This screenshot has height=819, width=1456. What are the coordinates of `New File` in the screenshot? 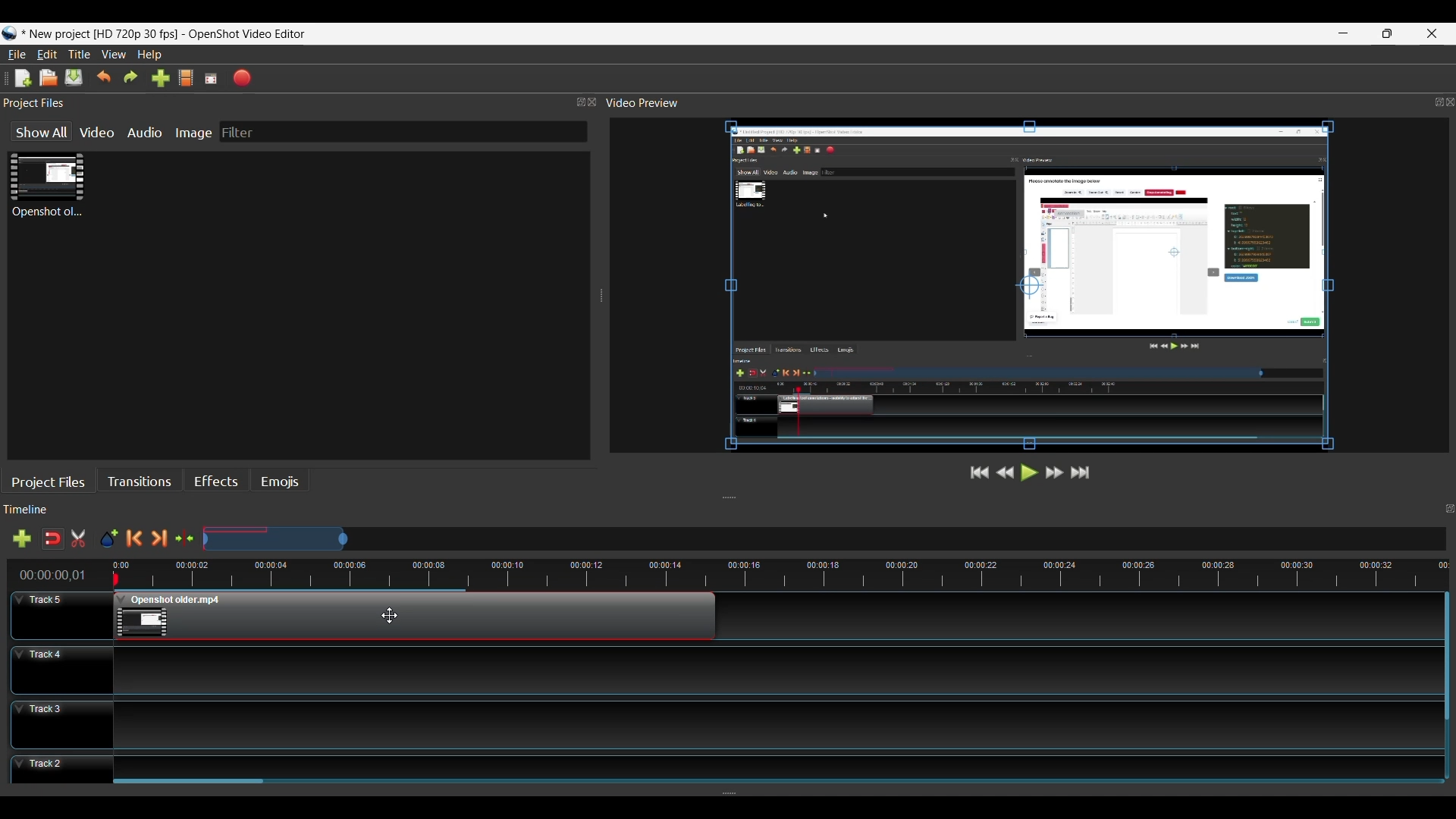 It's located at (19, 78).